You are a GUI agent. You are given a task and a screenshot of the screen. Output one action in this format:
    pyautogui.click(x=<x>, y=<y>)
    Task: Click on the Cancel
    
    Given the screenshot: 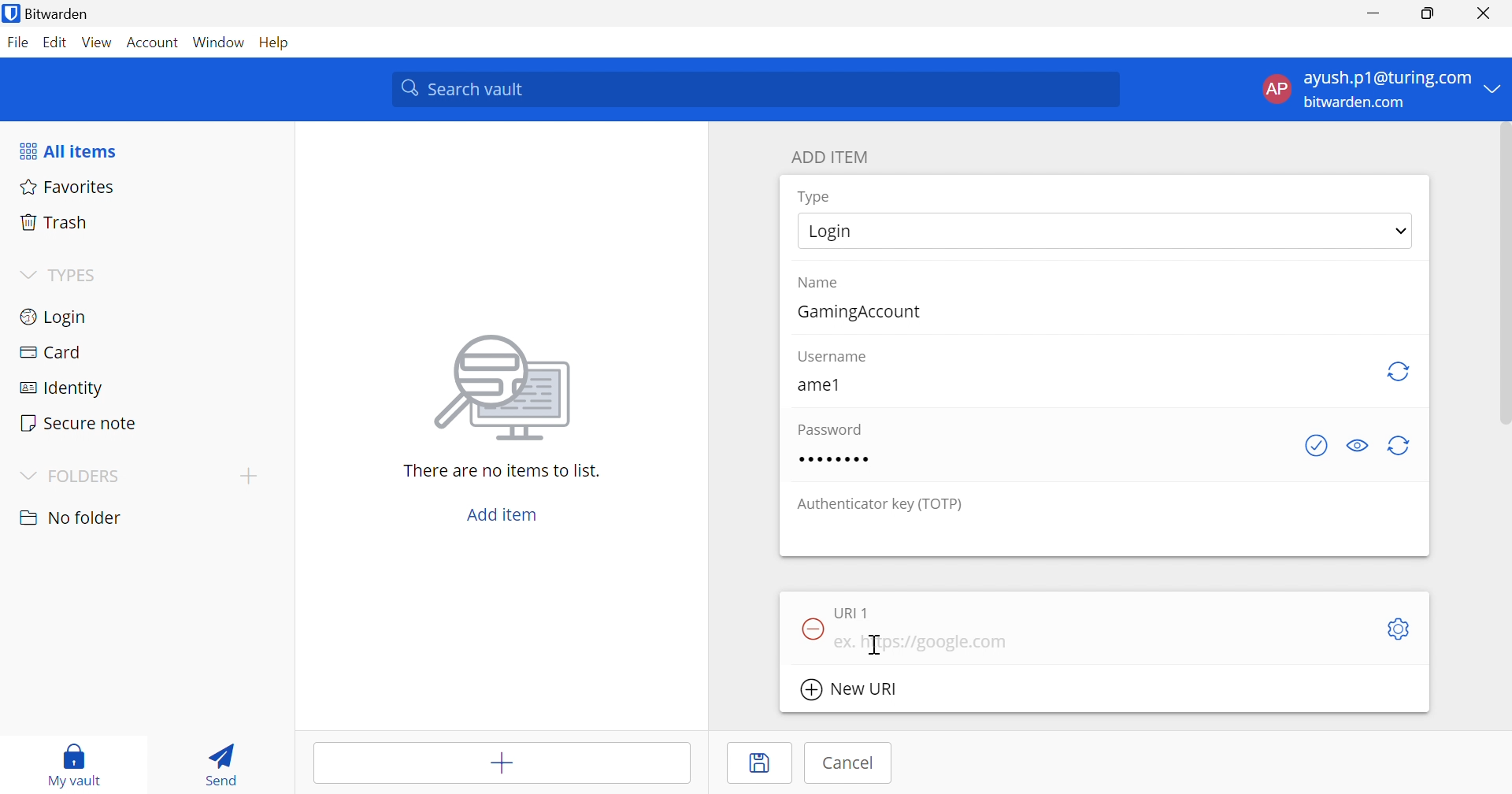 What is the action you would take?
    pyautogui.click(x=845, y=765)
    